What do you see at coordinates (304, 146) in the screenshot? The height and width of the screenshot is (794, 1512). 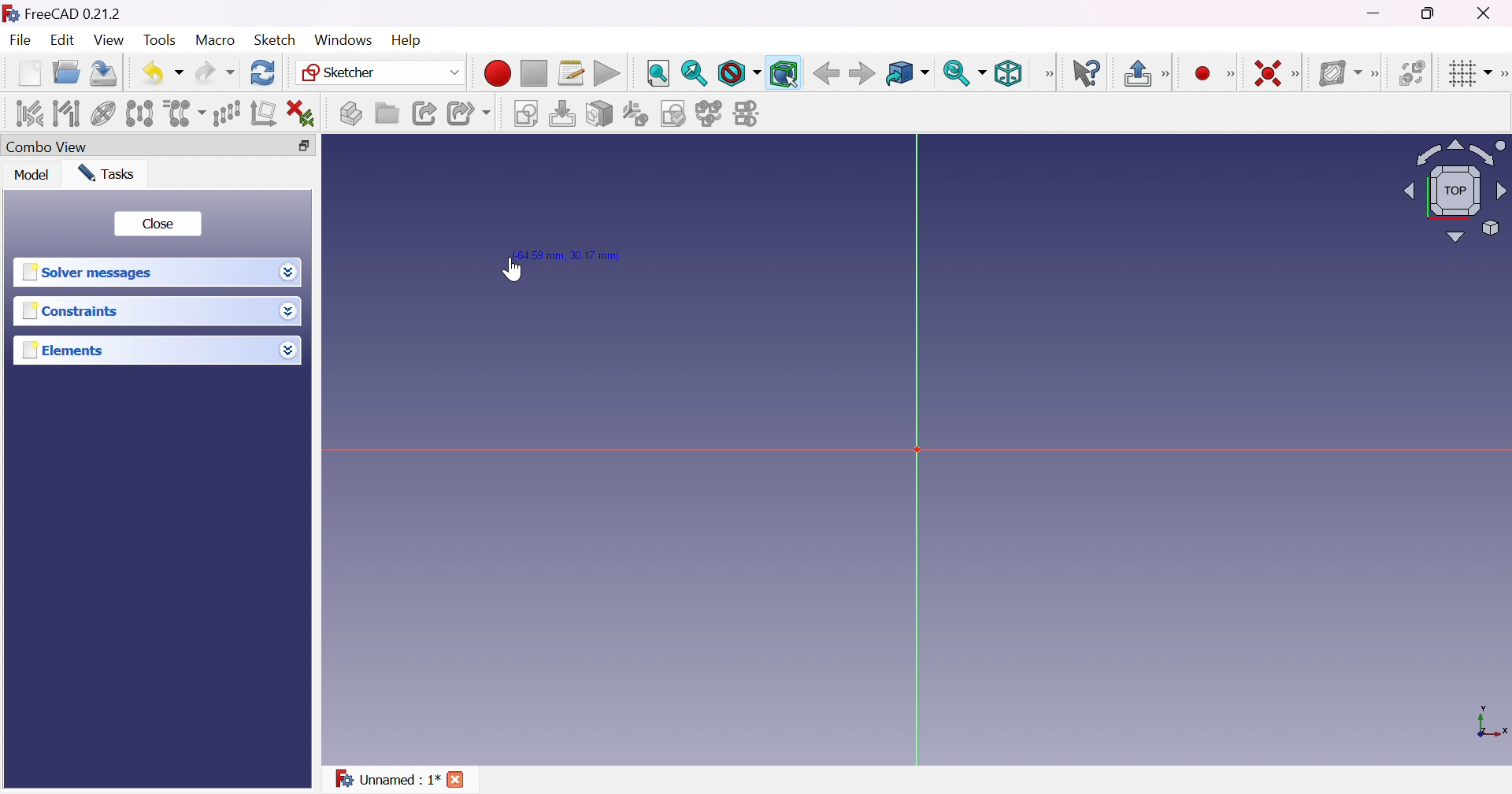 I see `Restore down` at bounding box center [304, 146].